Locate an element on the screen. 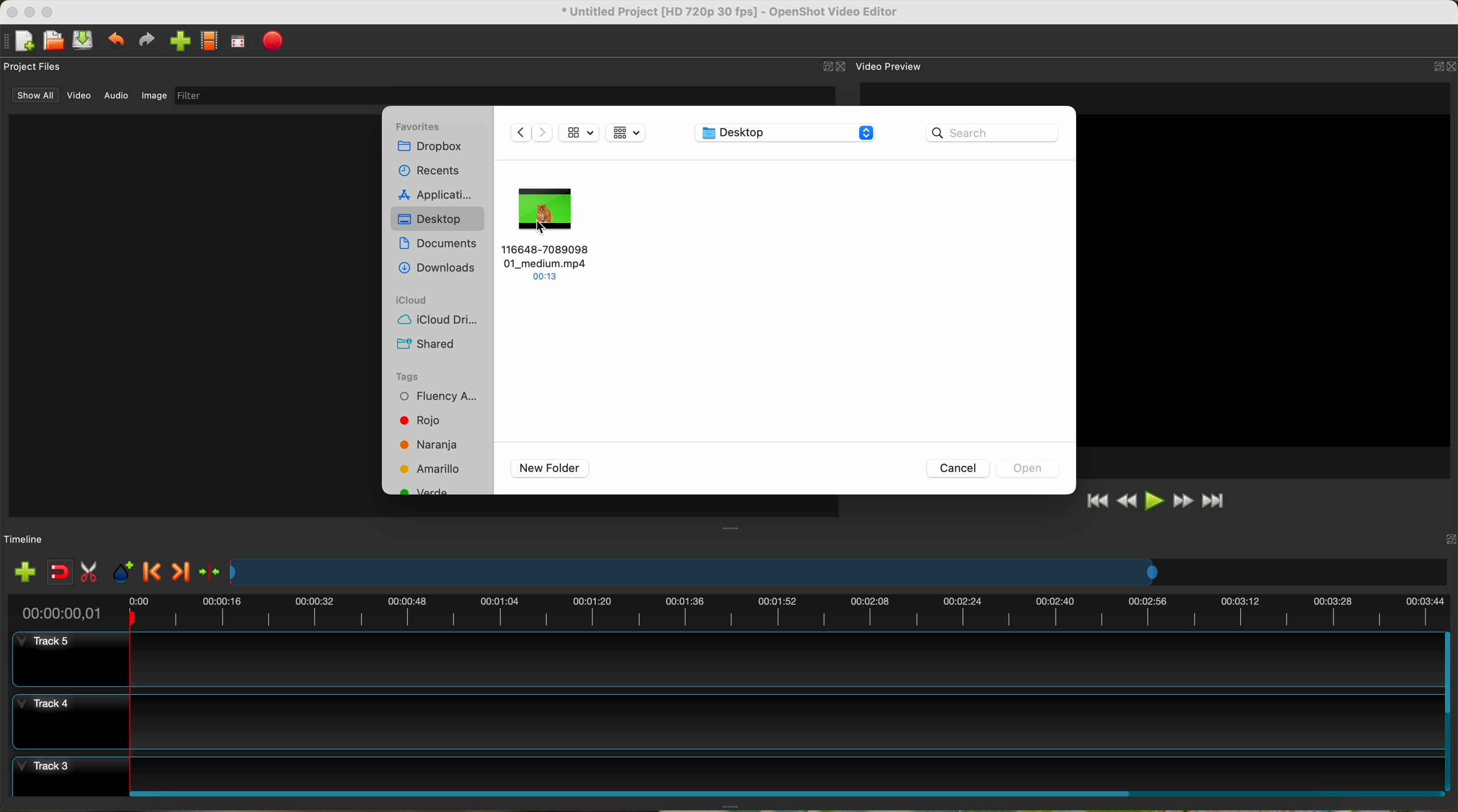  desktop is located at coordinates (787, 135).